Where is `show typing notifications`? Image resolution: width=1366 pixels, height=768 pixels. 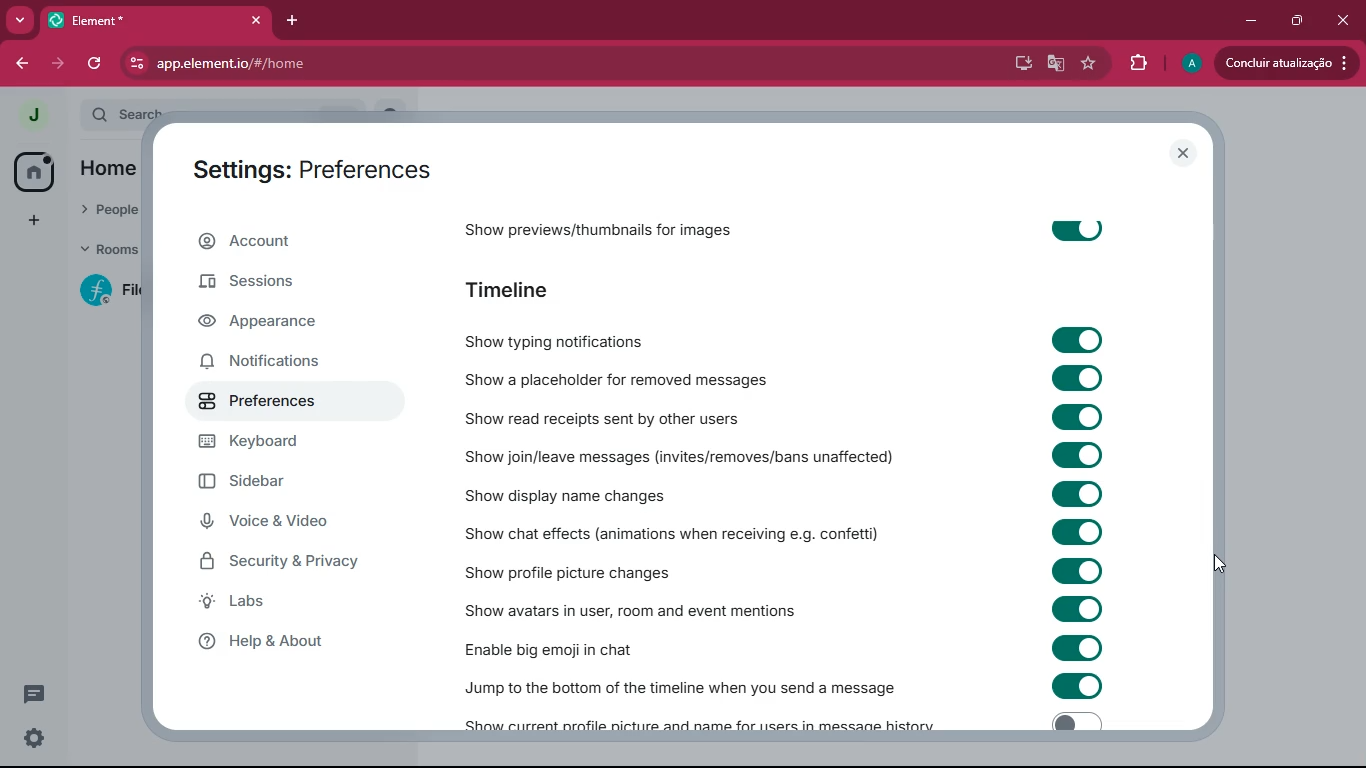
show typing notifications is located at coordinates (601, 336).